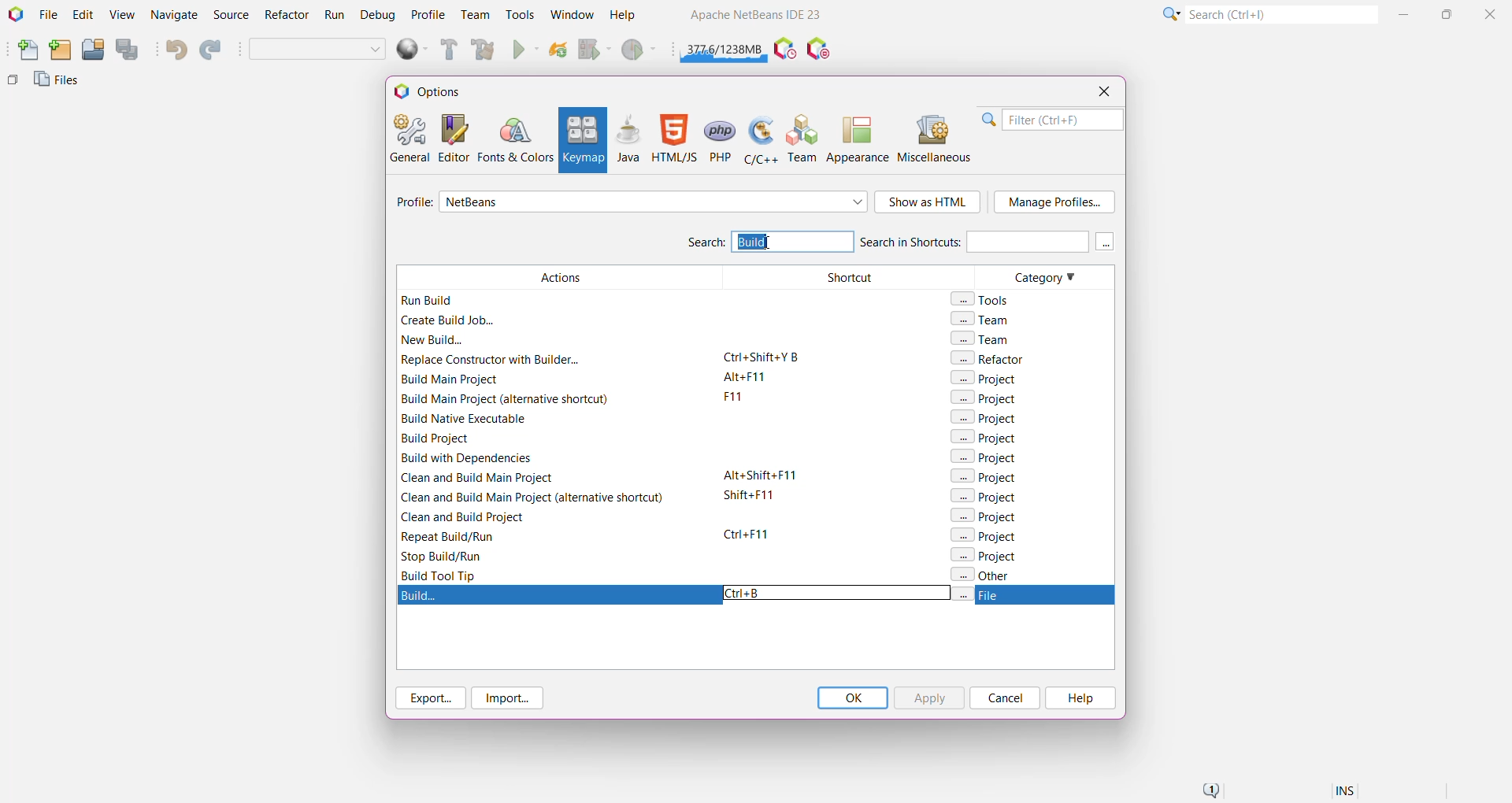 The image size is (1512, 803). What do you see at coordinates (450, 138) in the screenshot?
I see `Editor` at bounding box center [450, 138].